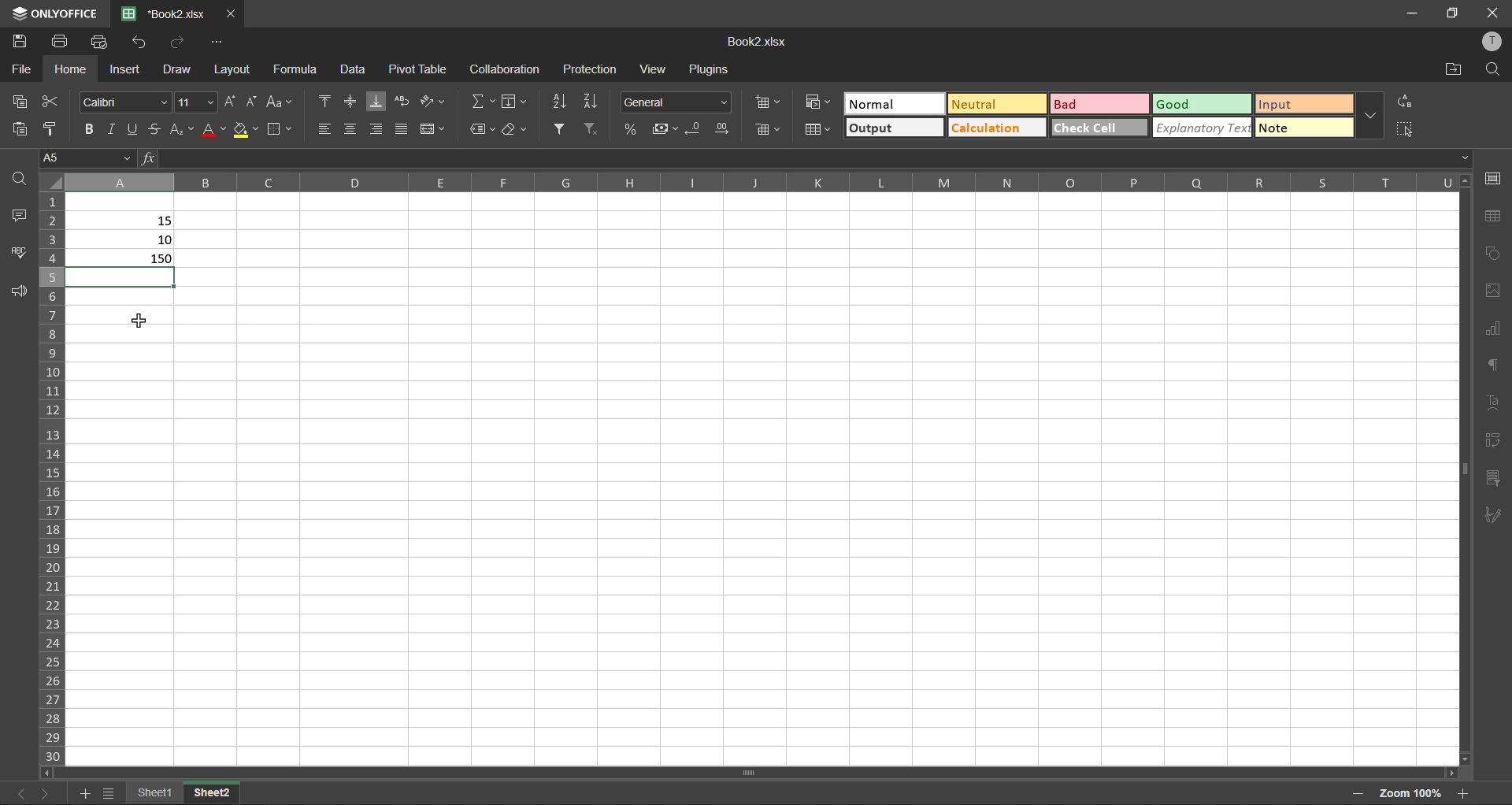 Image resolution: width=1512 pixels, height=805 pixels. Describe the element at coordinates (438, 131) in the screenshot. I see `merge and center` at that location.